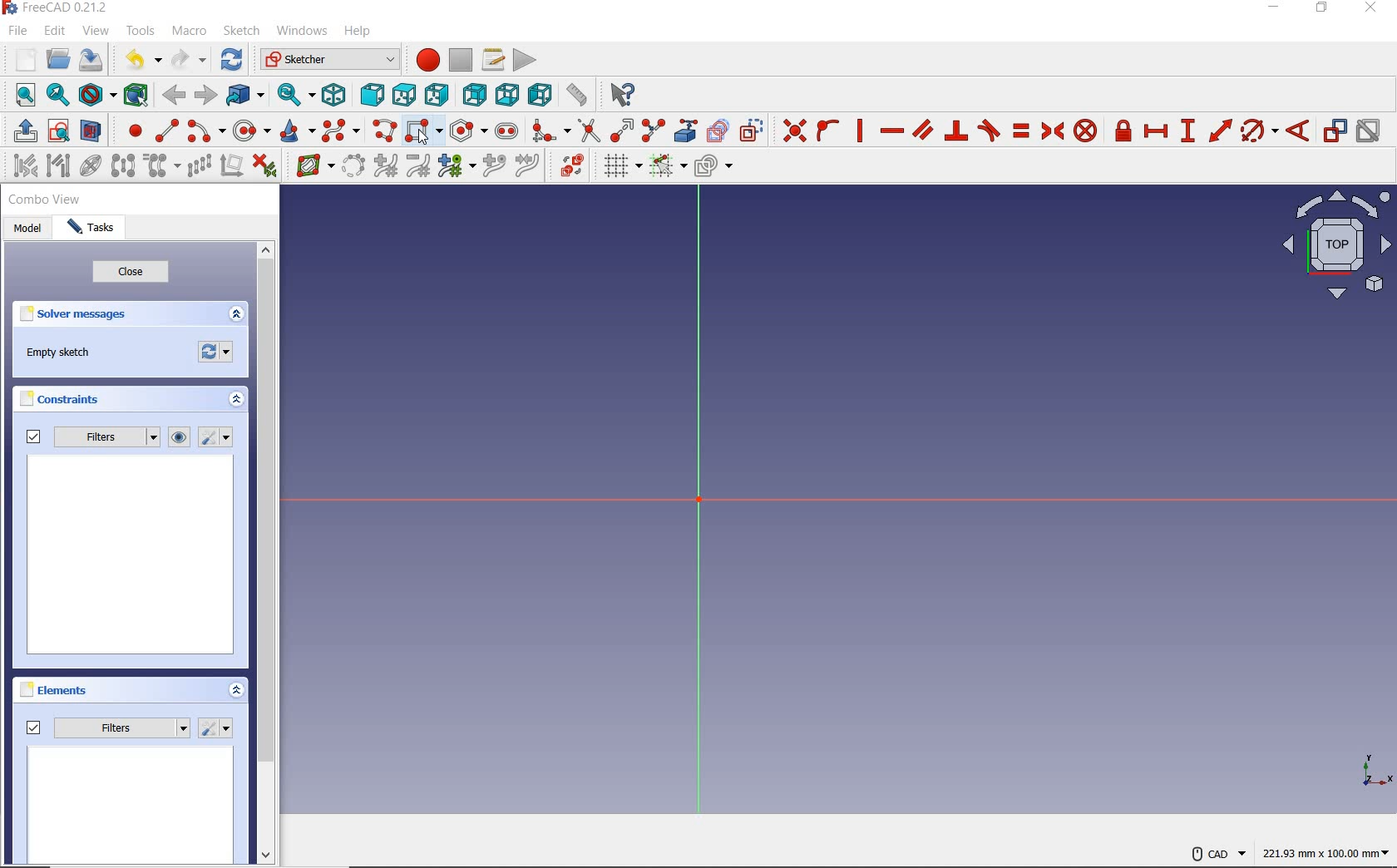 The image size is (1397, 868). I want to click on switch virtual space, so click(569, 169).